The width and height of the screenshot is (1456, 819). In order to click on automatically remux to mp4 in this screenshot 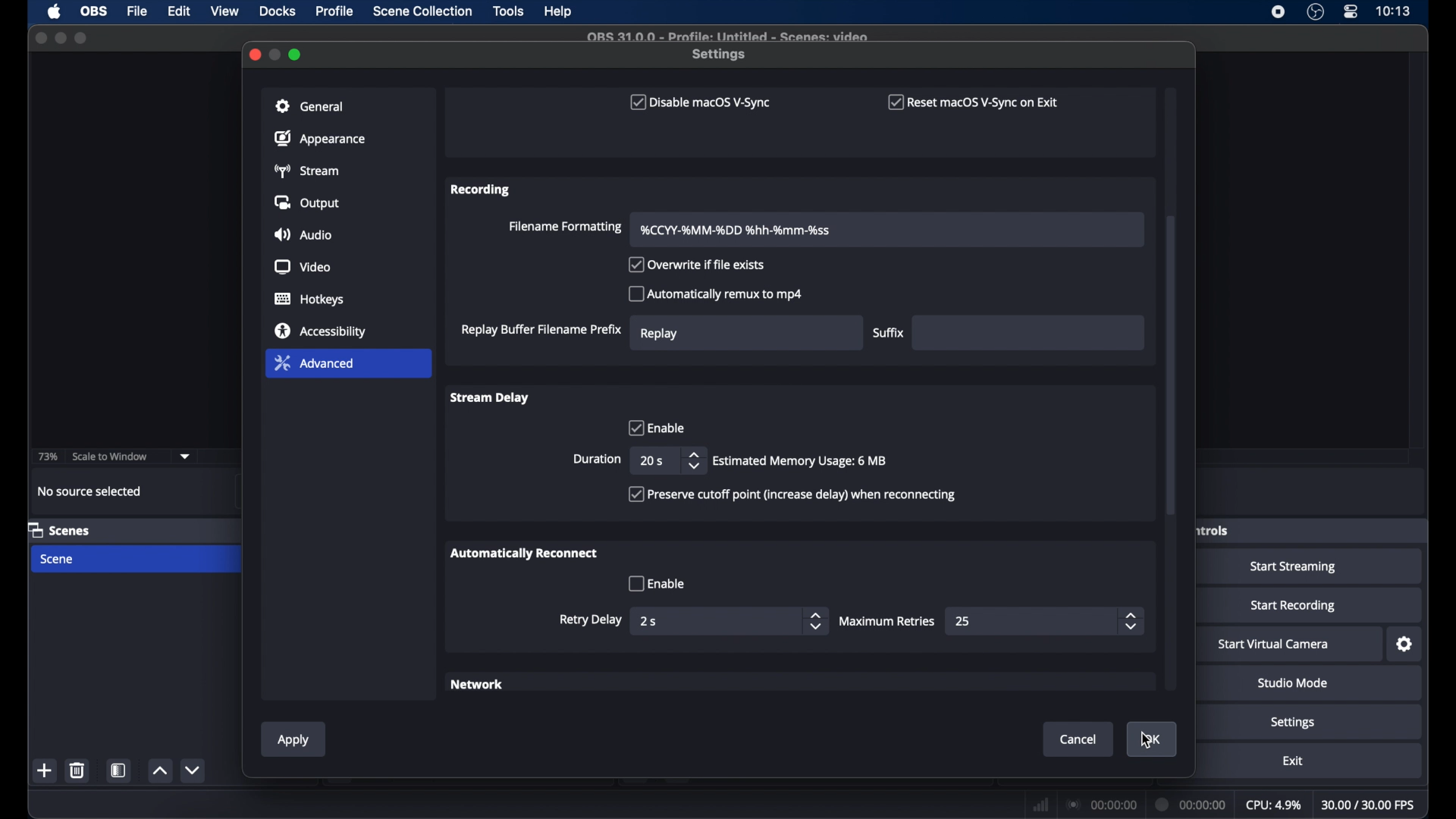, I will do `click(716, 293)`.